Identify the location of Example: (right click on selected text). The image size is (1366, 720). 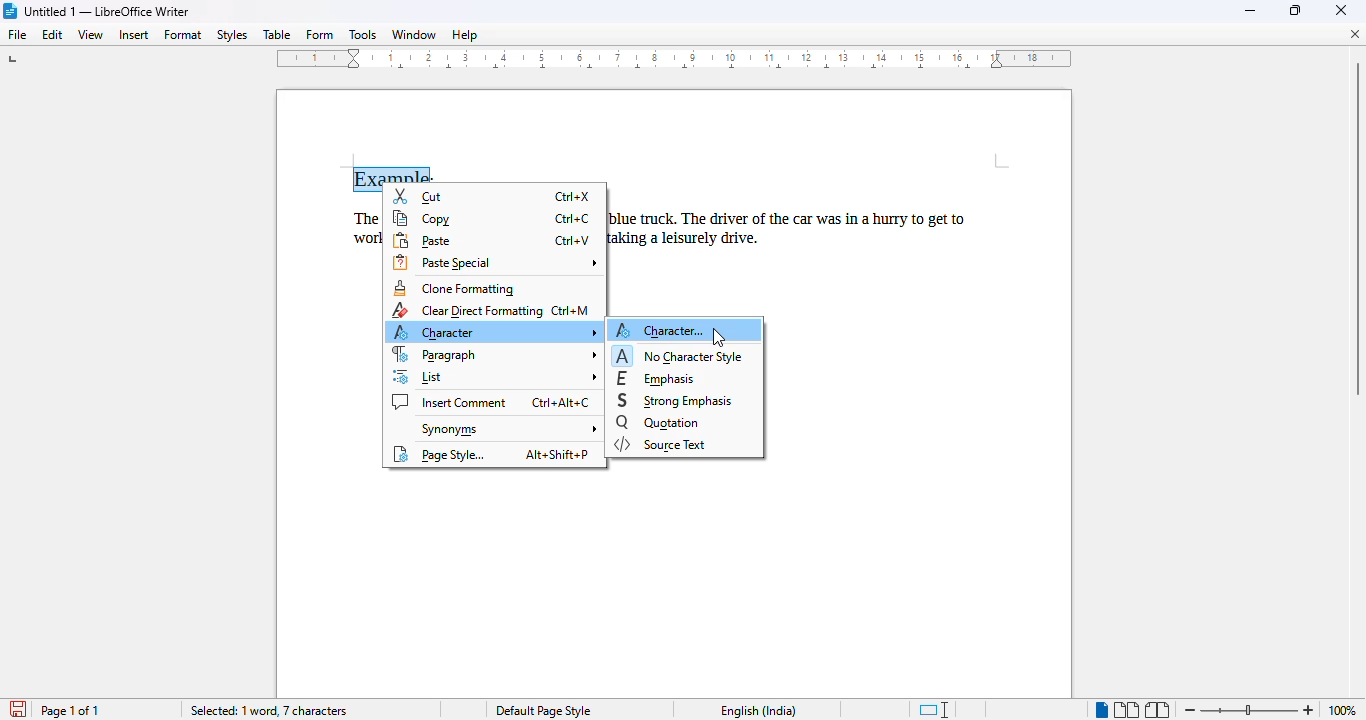
(396, 176).